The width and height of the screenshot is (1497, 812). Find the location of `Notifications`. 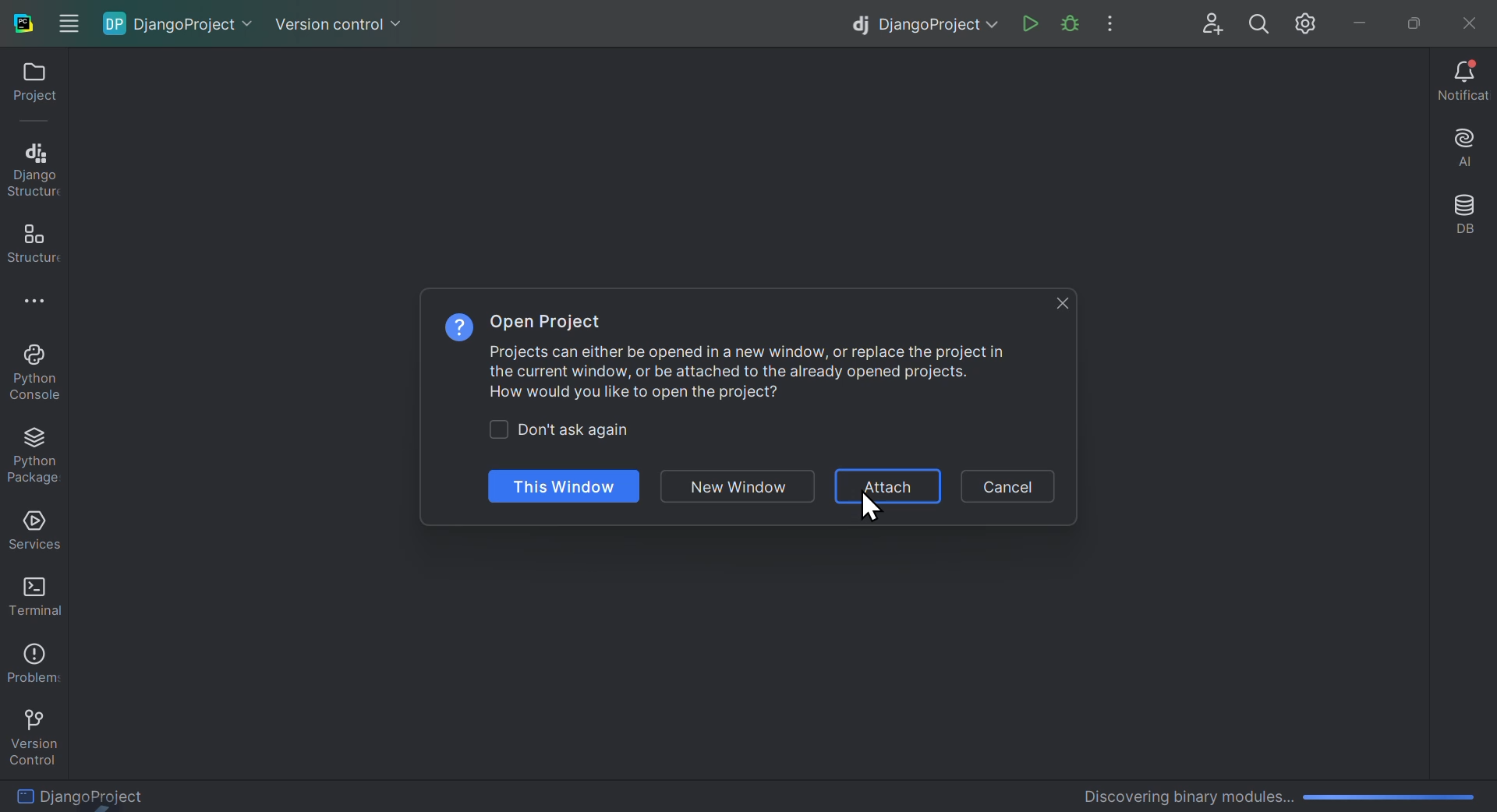

Notifications is located at coordinates (1463, 83).